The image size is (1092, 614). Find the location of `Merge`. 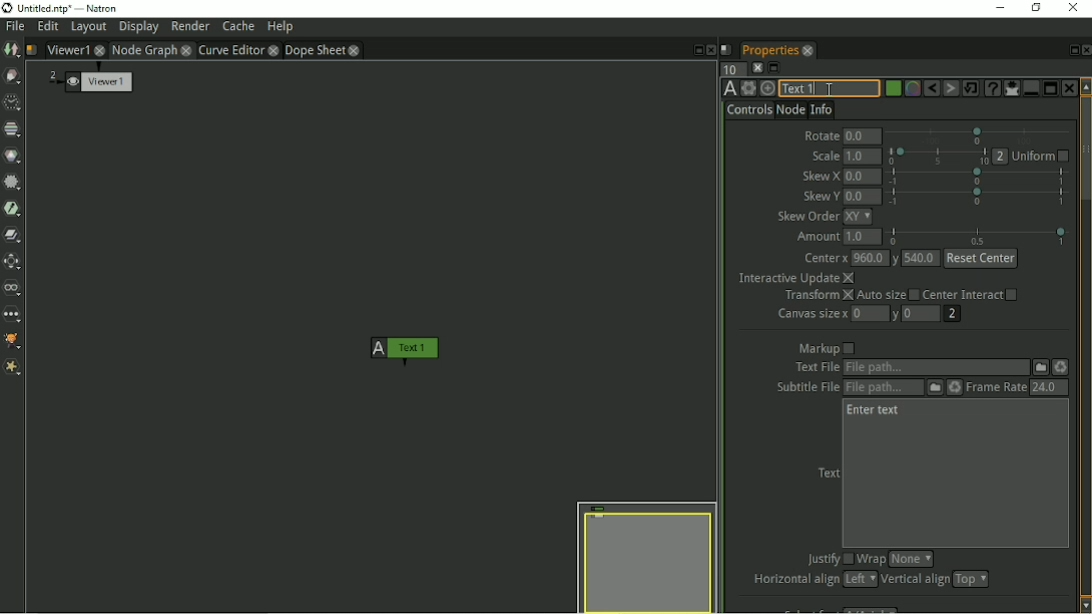

Merge is located at coordinates (14, 236).